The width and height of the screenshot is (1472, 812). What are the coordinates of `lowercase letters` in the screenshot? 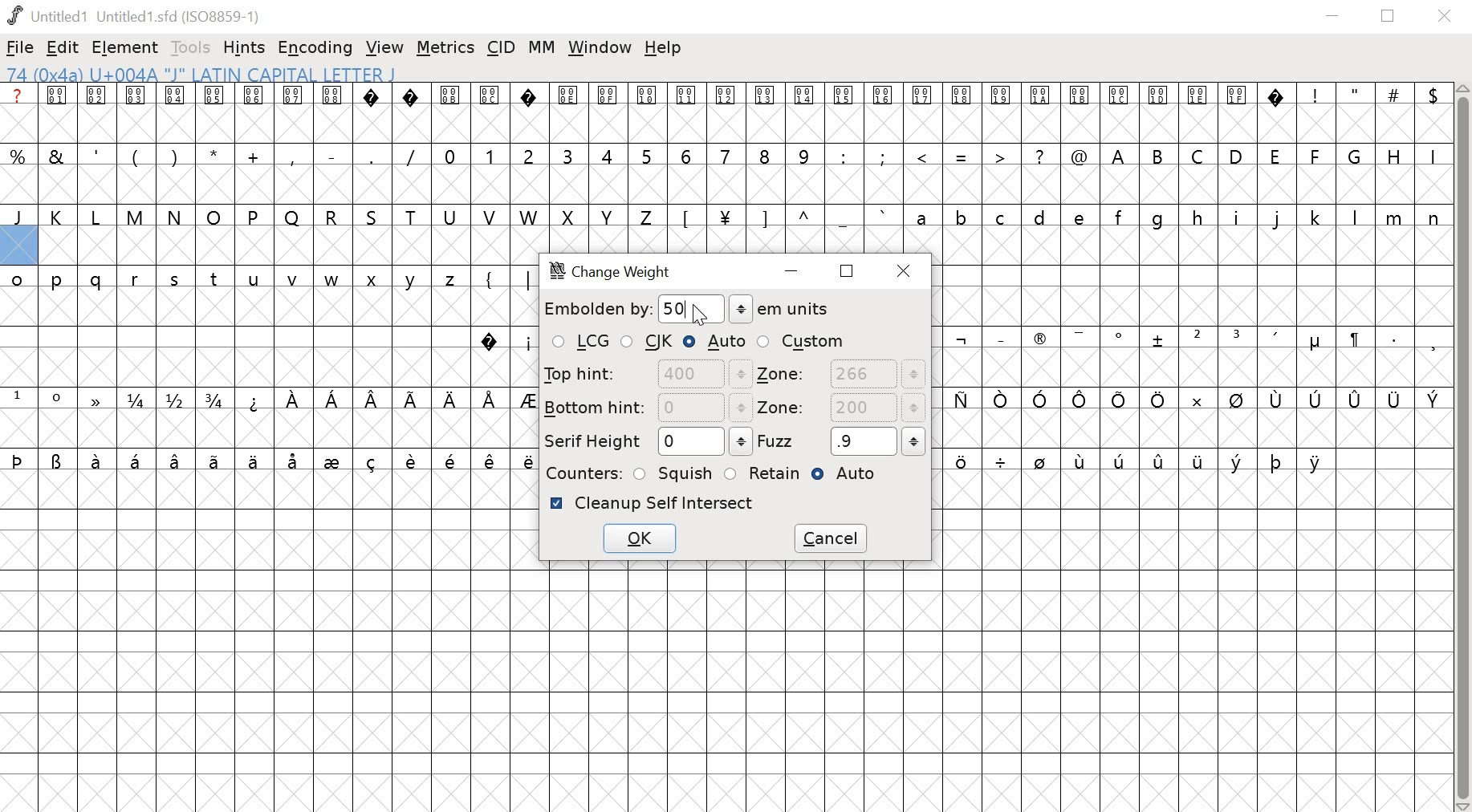 It's located at (238, 282).